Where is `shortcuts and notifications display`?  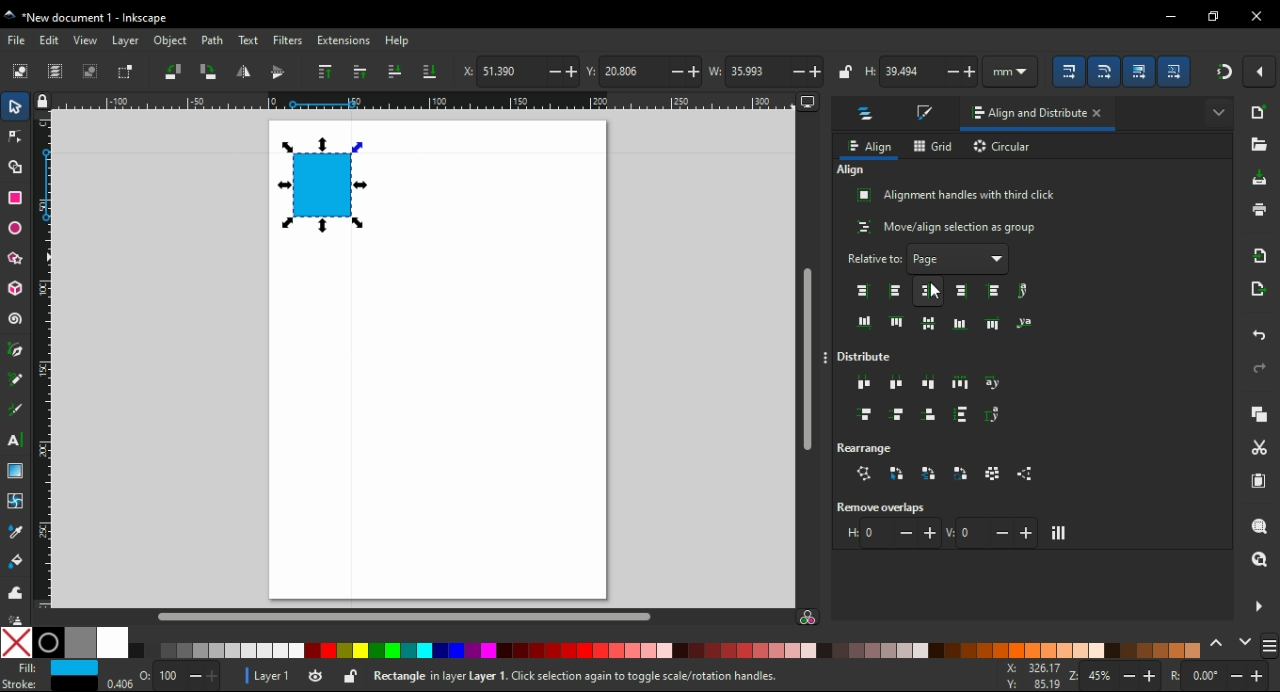
shortcuts and notifications display is located at coordinates (636, 677).